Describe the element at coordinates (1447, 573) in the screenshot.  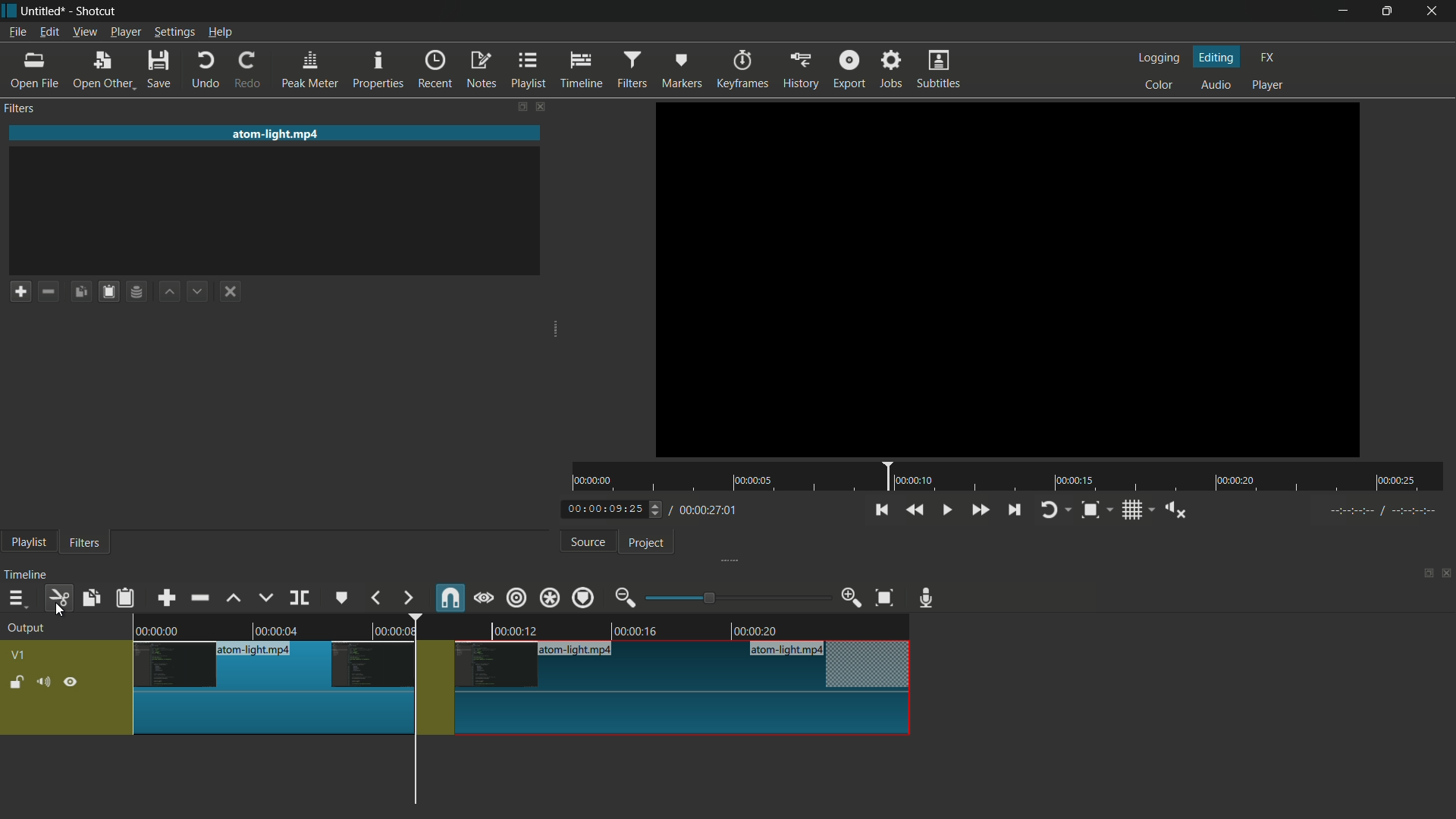
I see `close timeline` at that location.